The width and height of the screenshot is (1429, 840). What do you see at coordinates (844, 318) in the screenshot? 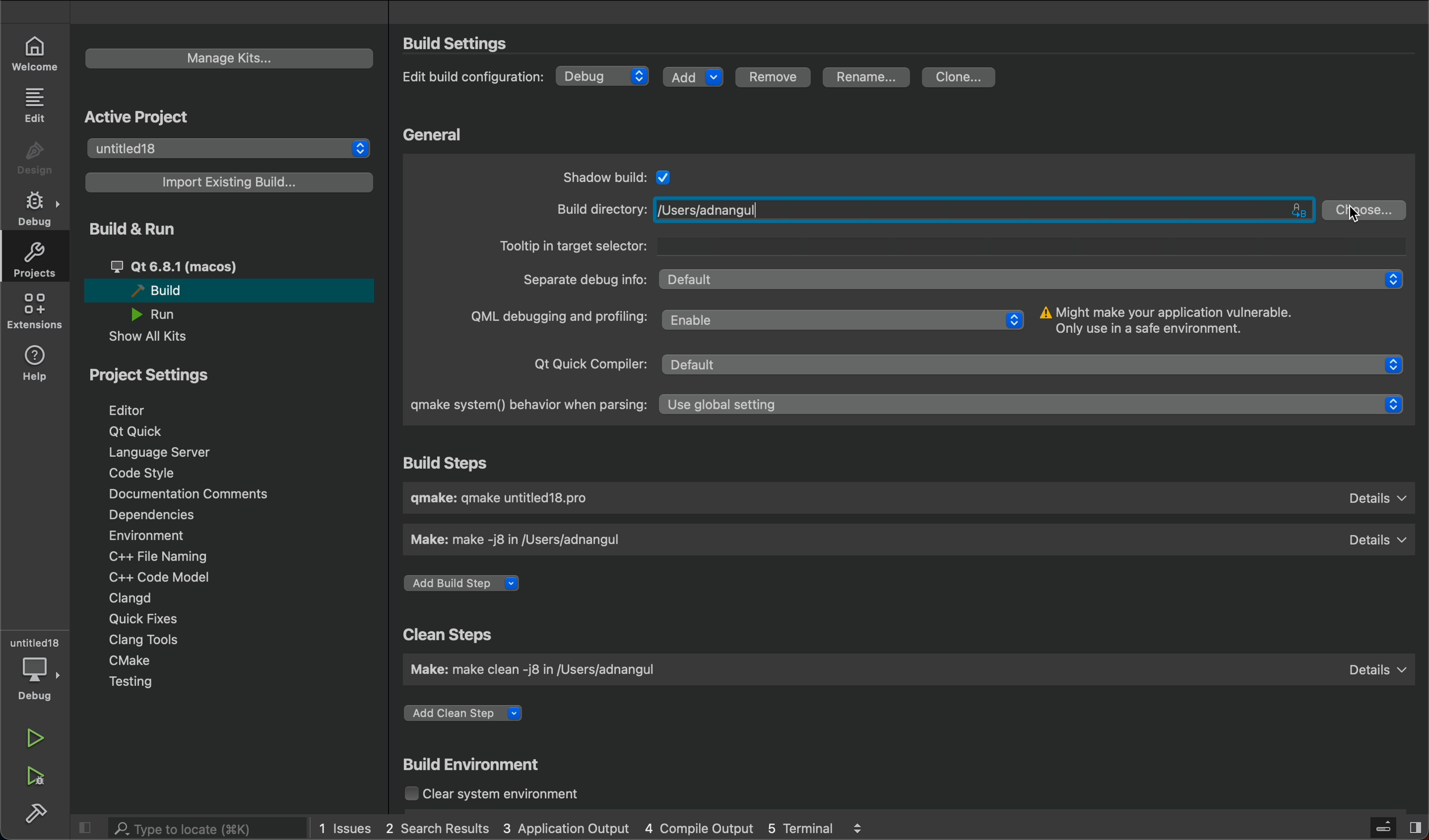
I see `Enable` at bounding box center [844, 318].